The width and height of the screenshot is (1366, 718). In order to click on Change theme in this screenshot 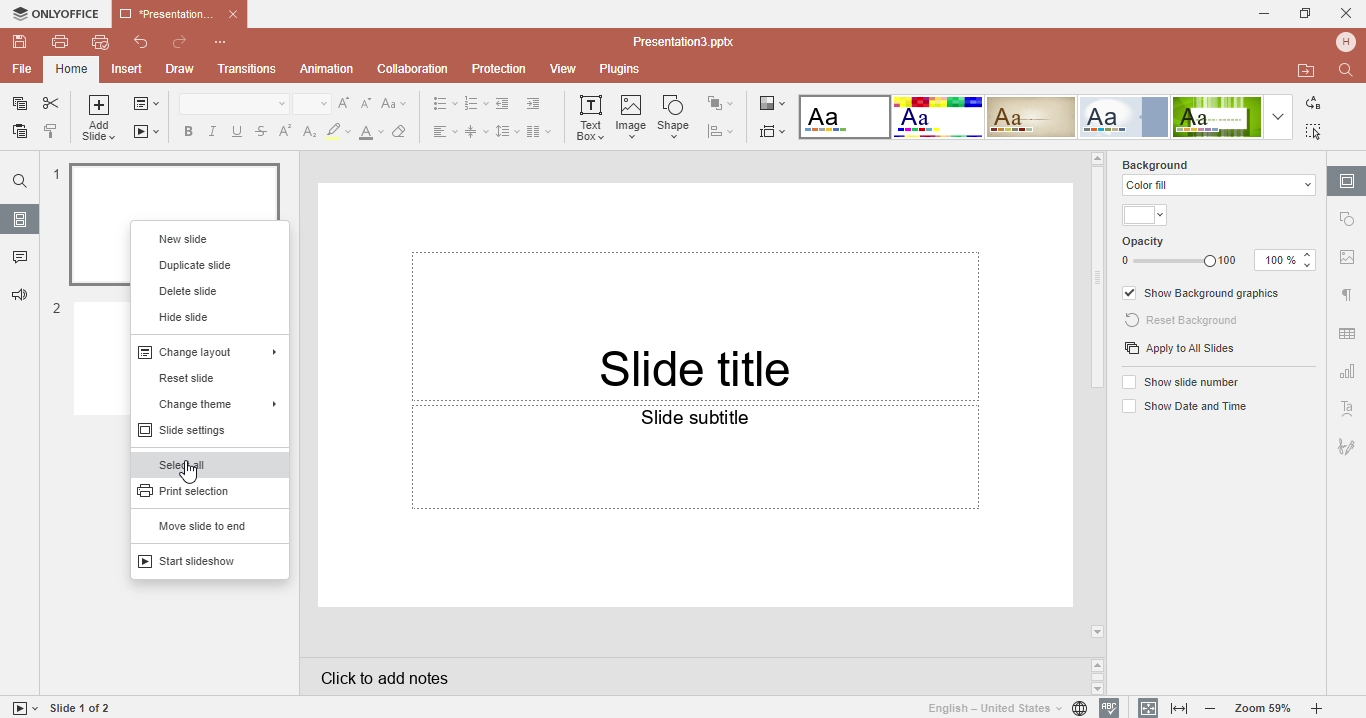, I will do `click(207, 401)`.